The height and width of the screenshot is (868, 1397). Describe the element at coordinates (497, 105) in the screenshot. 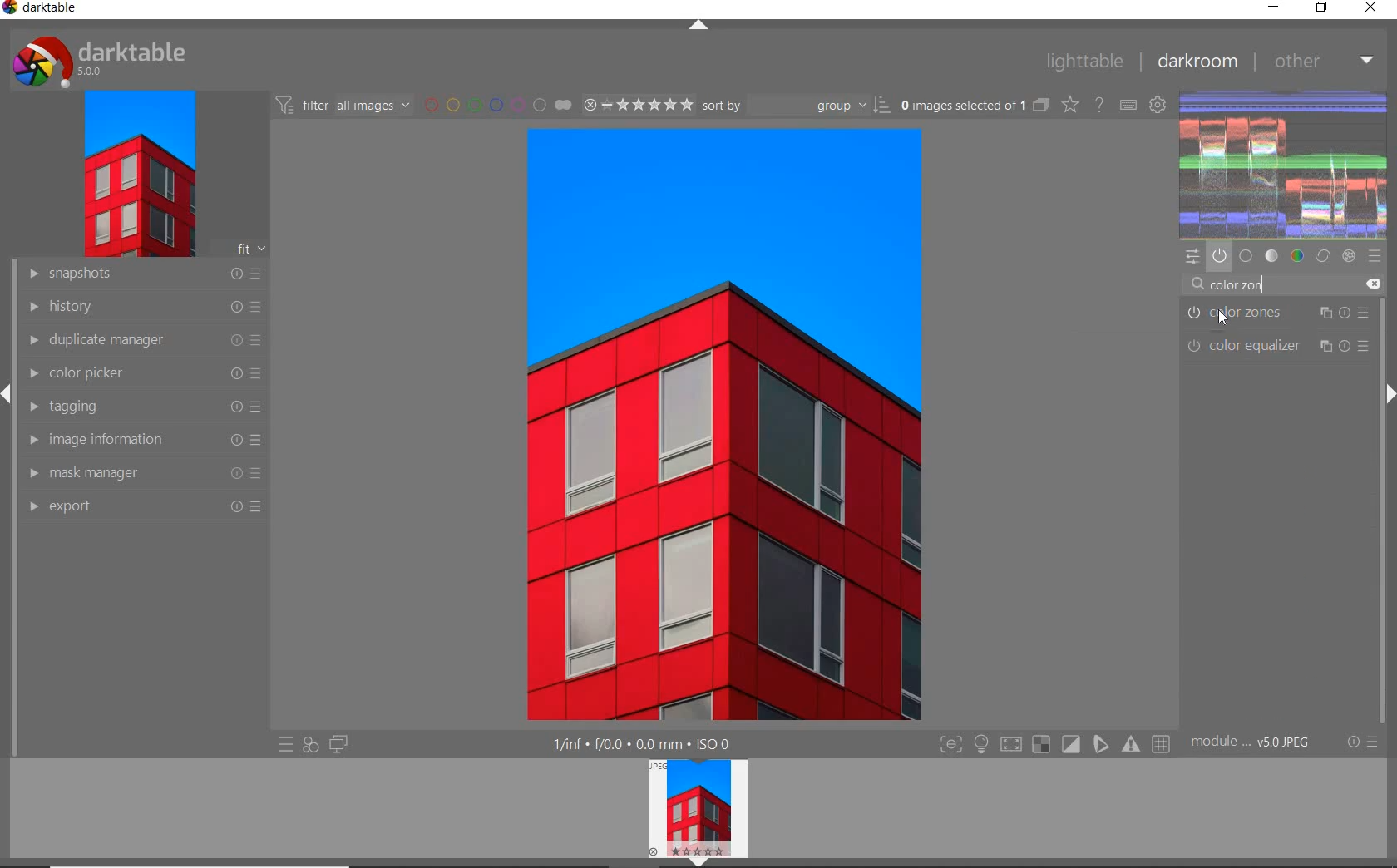

I see `filter by image color label` at that location.